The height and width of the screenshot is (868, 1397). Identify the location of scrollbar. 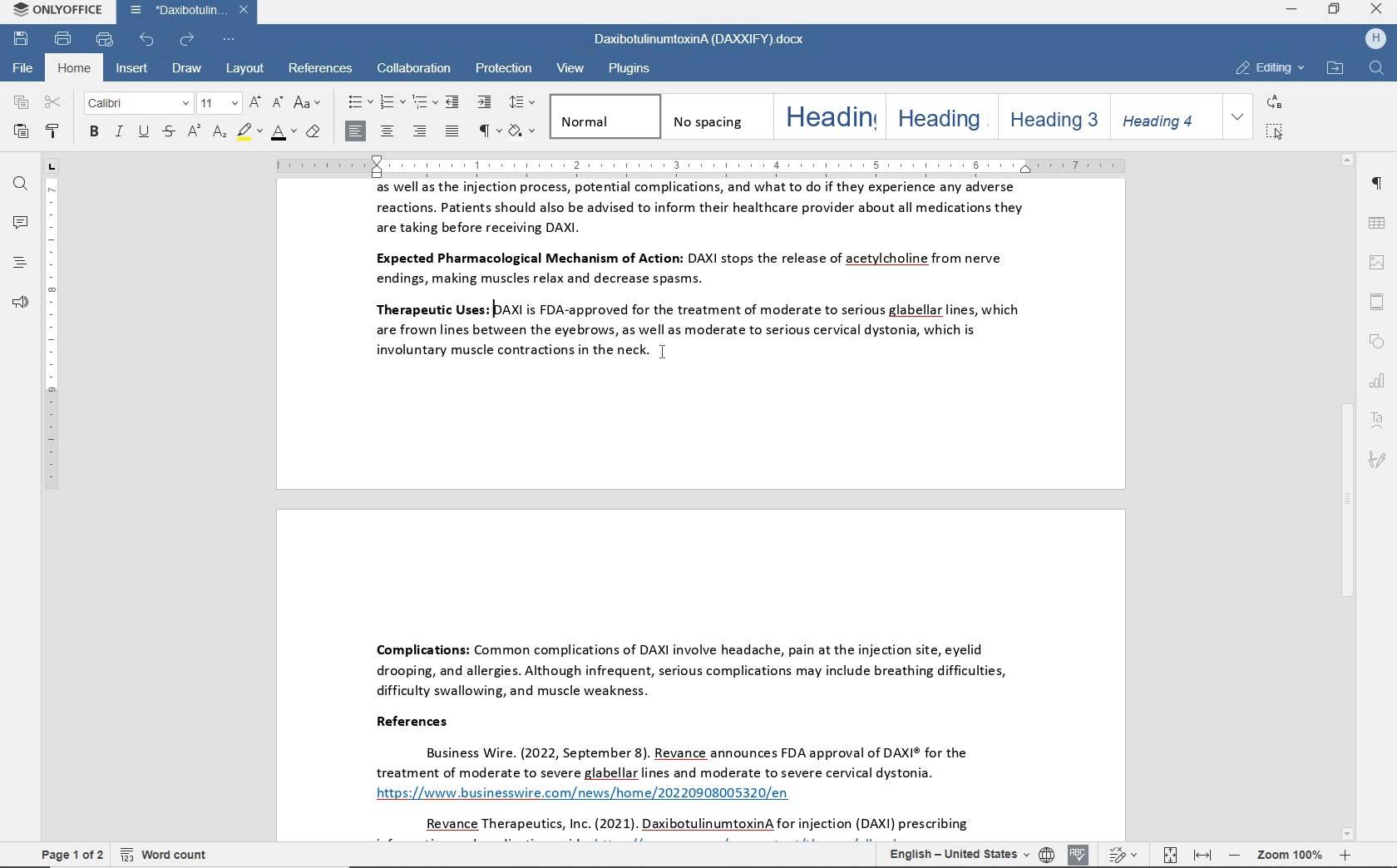
(1346, 498).